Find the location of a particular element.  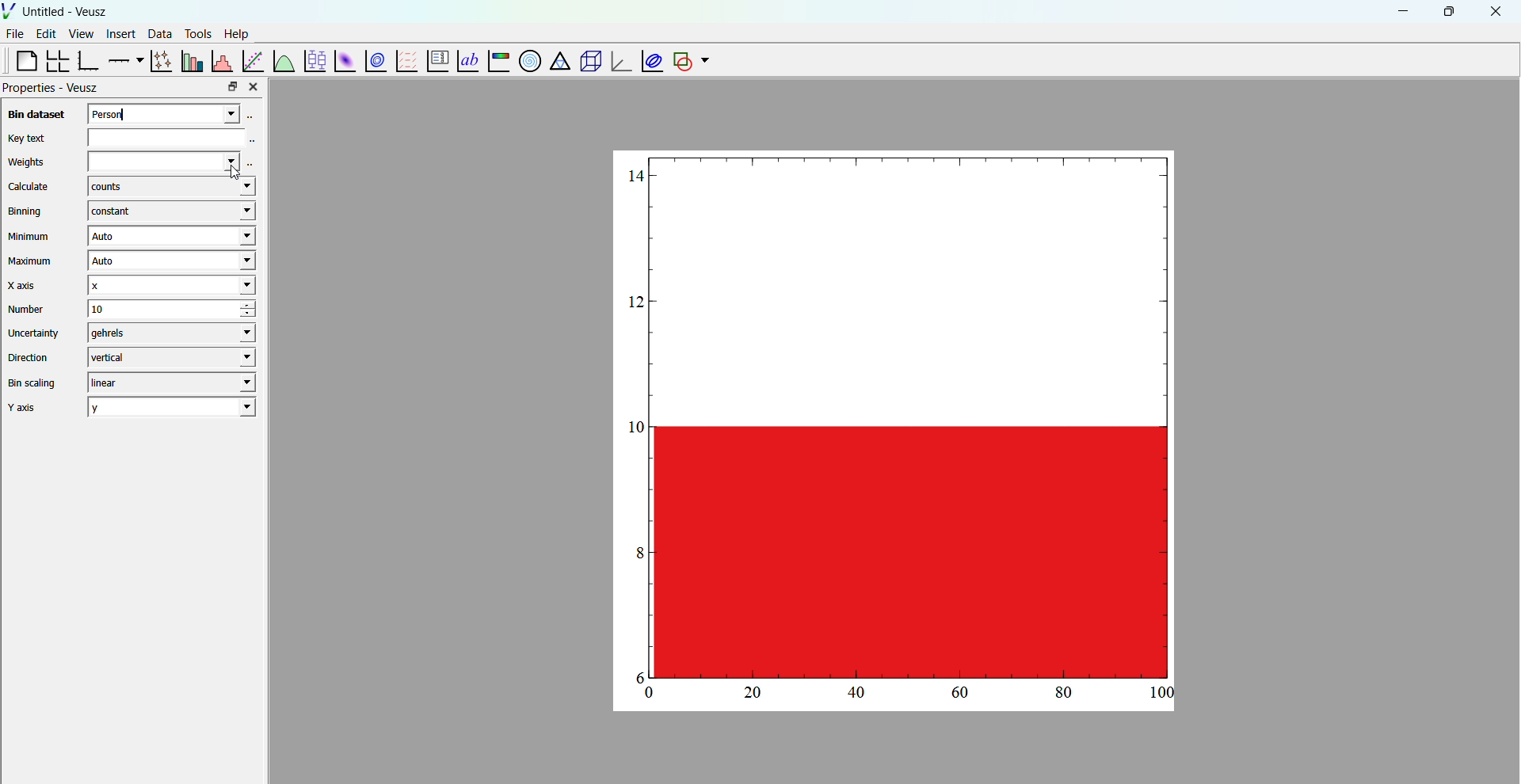

histogram added is located at coordinates (898, 416).